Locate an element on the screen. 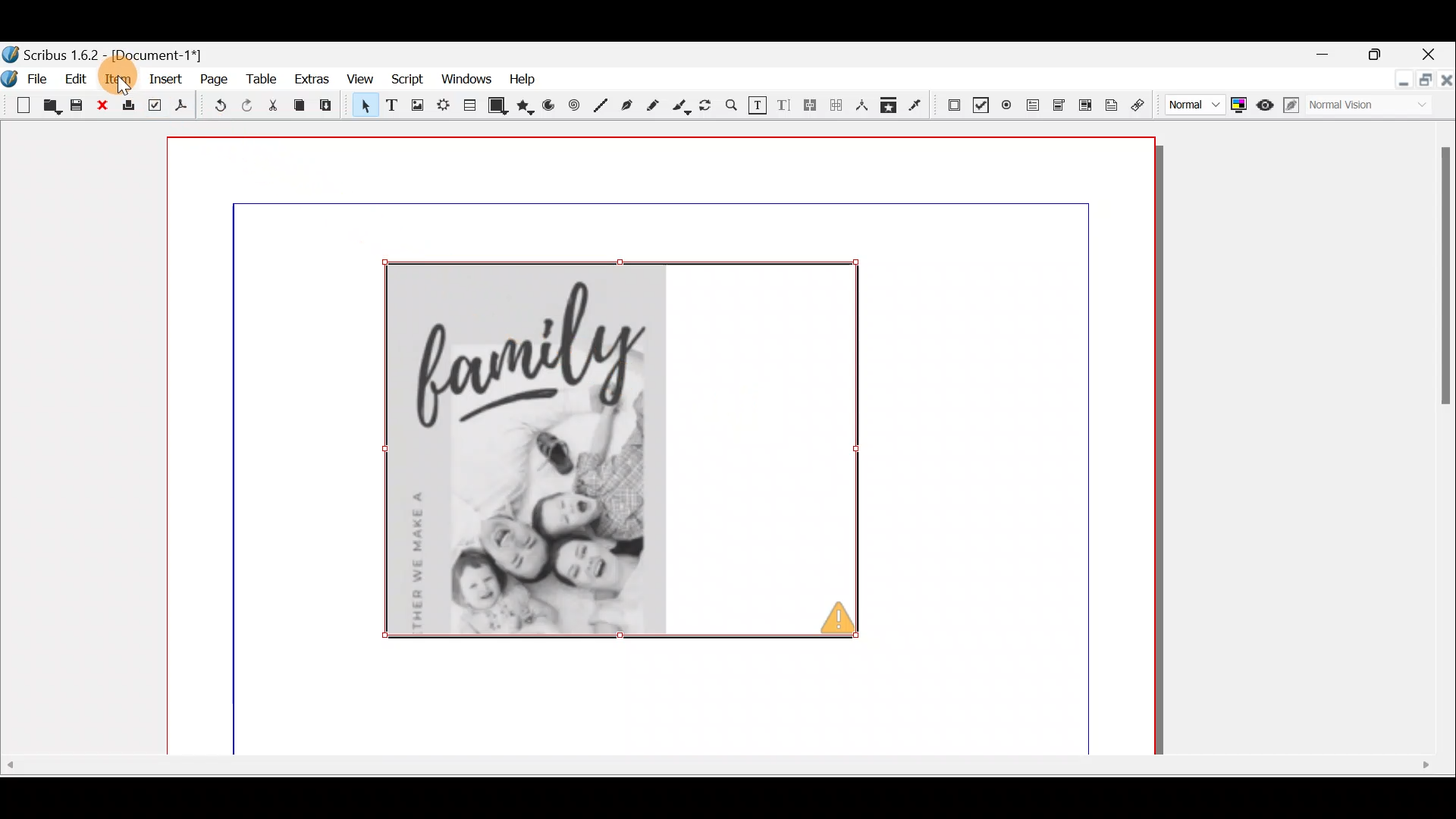 This screenshot has height=819, width=1456. Select item is located at coordinates (362, 108).